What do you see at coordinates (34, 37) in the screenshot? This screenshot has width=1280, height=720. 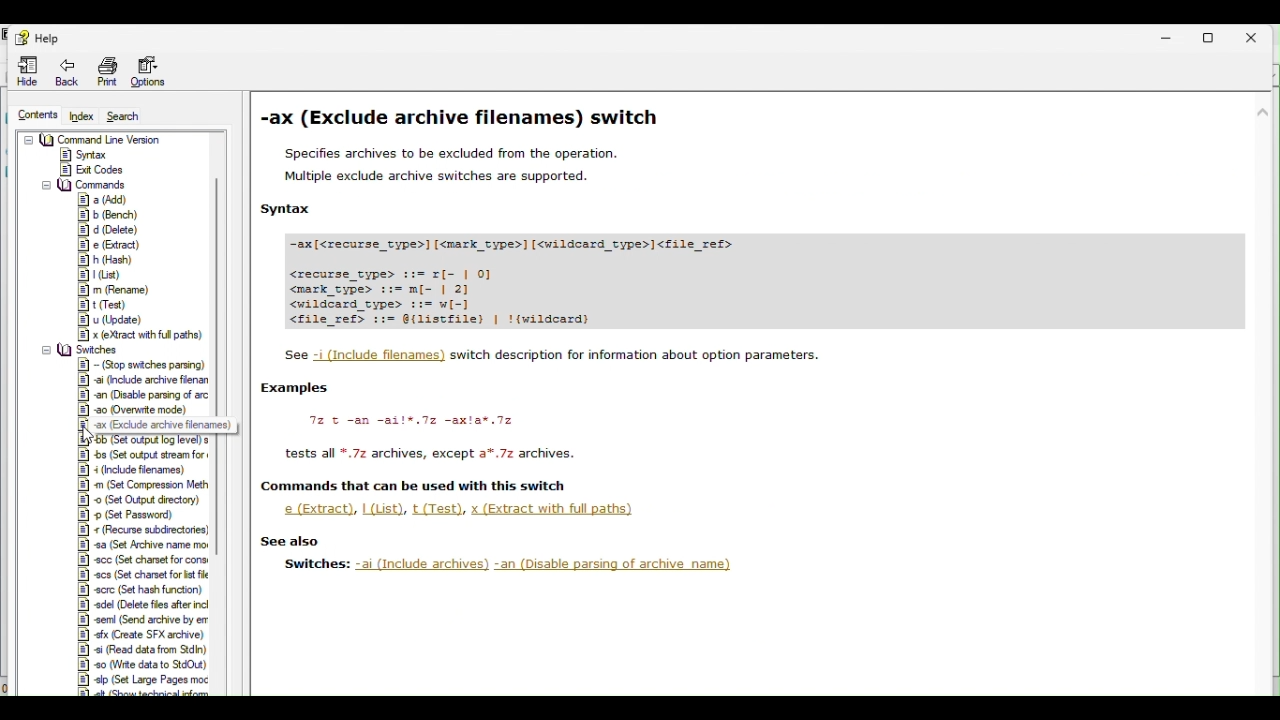 I see `Help ` at bounding box center [34, 37].